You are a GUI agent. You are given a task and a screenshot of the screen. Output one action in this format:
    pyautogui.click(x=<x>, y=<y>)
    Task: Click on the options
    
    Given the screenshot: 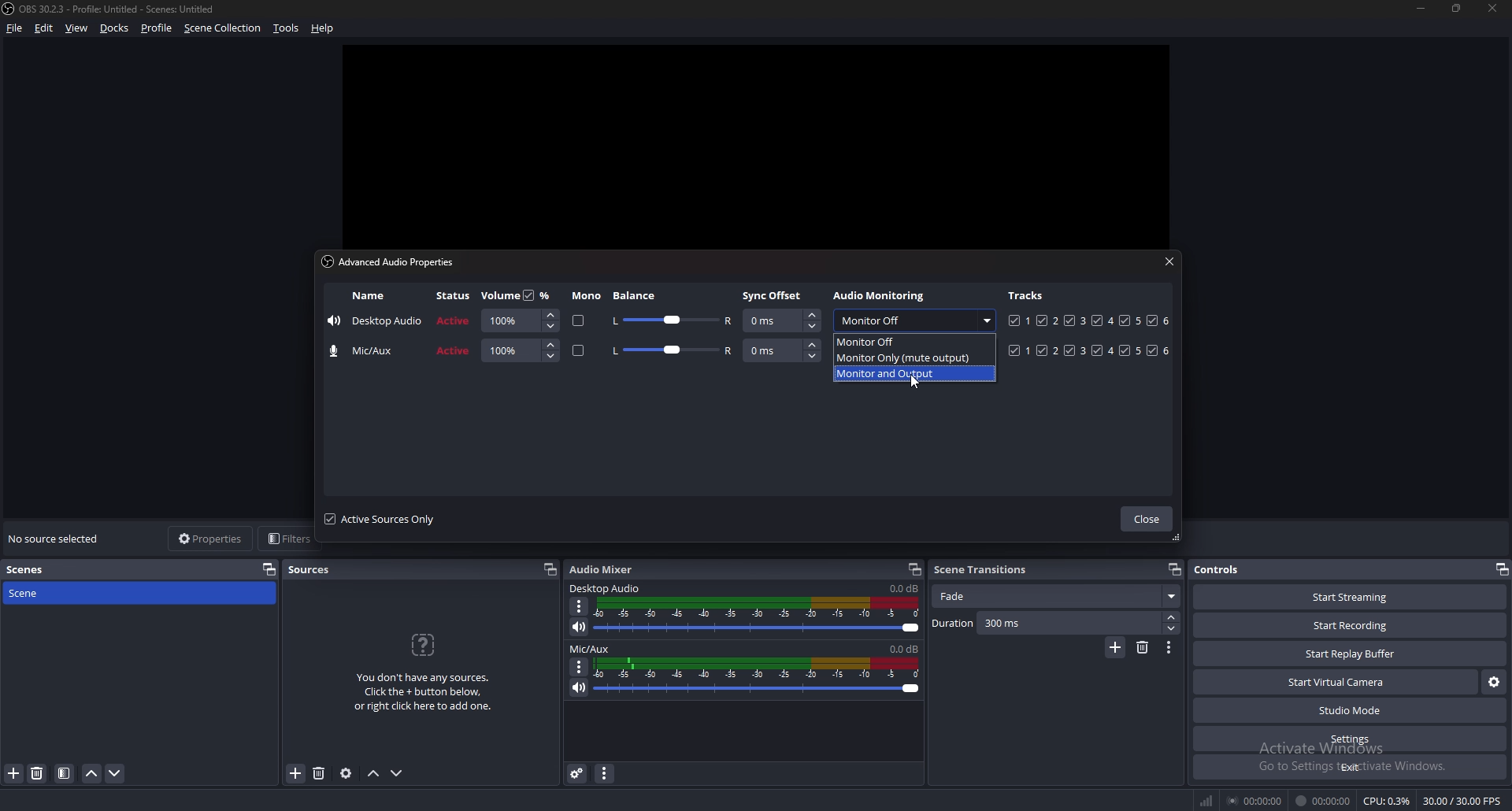 What is the action you would take?
    pyautogui.click(x=579, y=667)
    